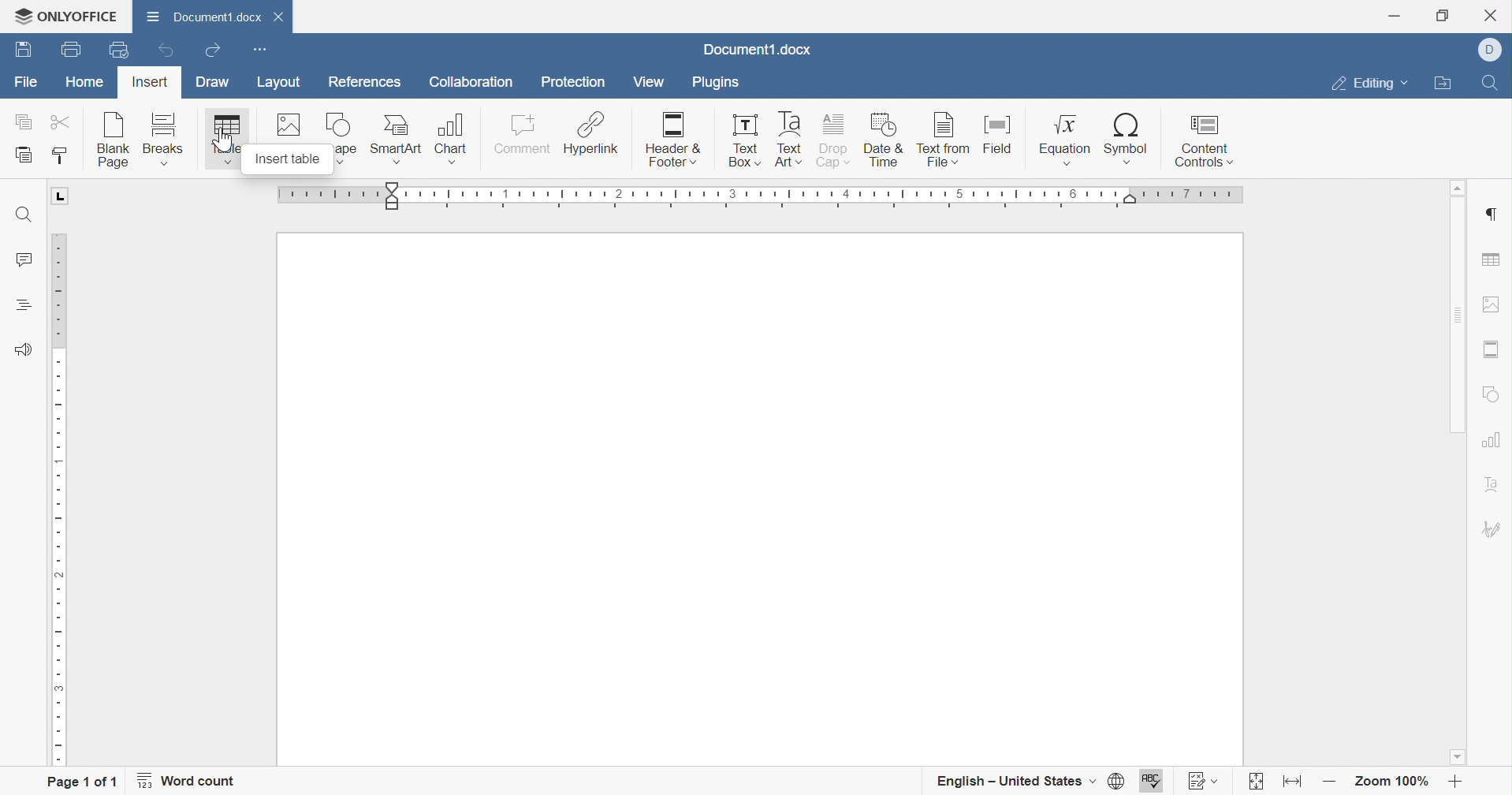  I want to click on Close, so click(282, 16).